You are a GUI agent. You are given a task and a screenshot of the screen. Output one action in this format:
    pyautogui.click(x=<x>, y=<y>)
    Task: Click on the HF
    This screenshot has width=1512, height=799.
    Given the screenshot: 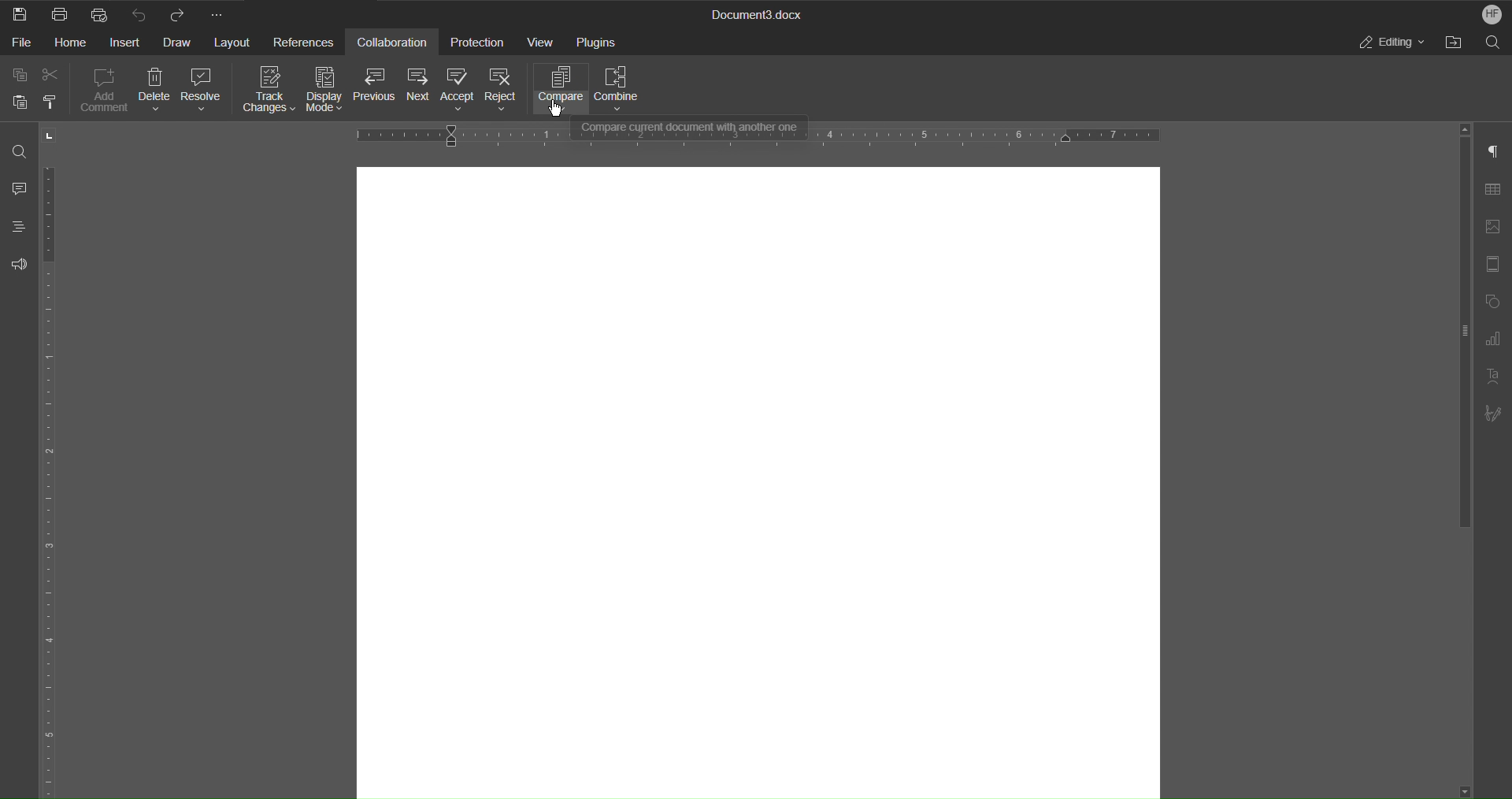 What is the action you would take?
    pyautogui.click(x=1492, y=15)
    